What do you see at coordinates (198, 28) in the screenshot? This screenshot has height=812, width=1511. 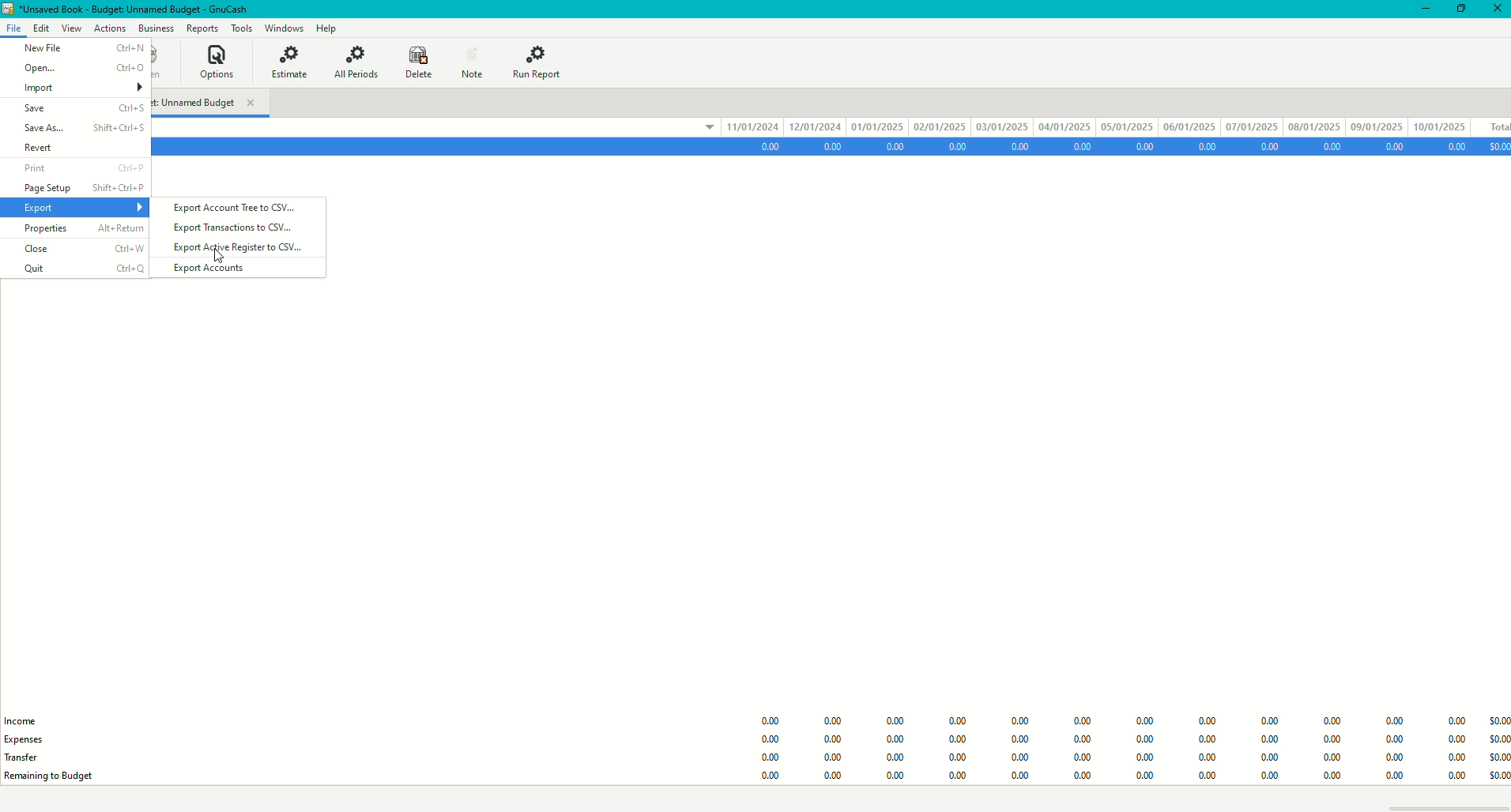 I see `Reports` at bounding box center [198, 28].